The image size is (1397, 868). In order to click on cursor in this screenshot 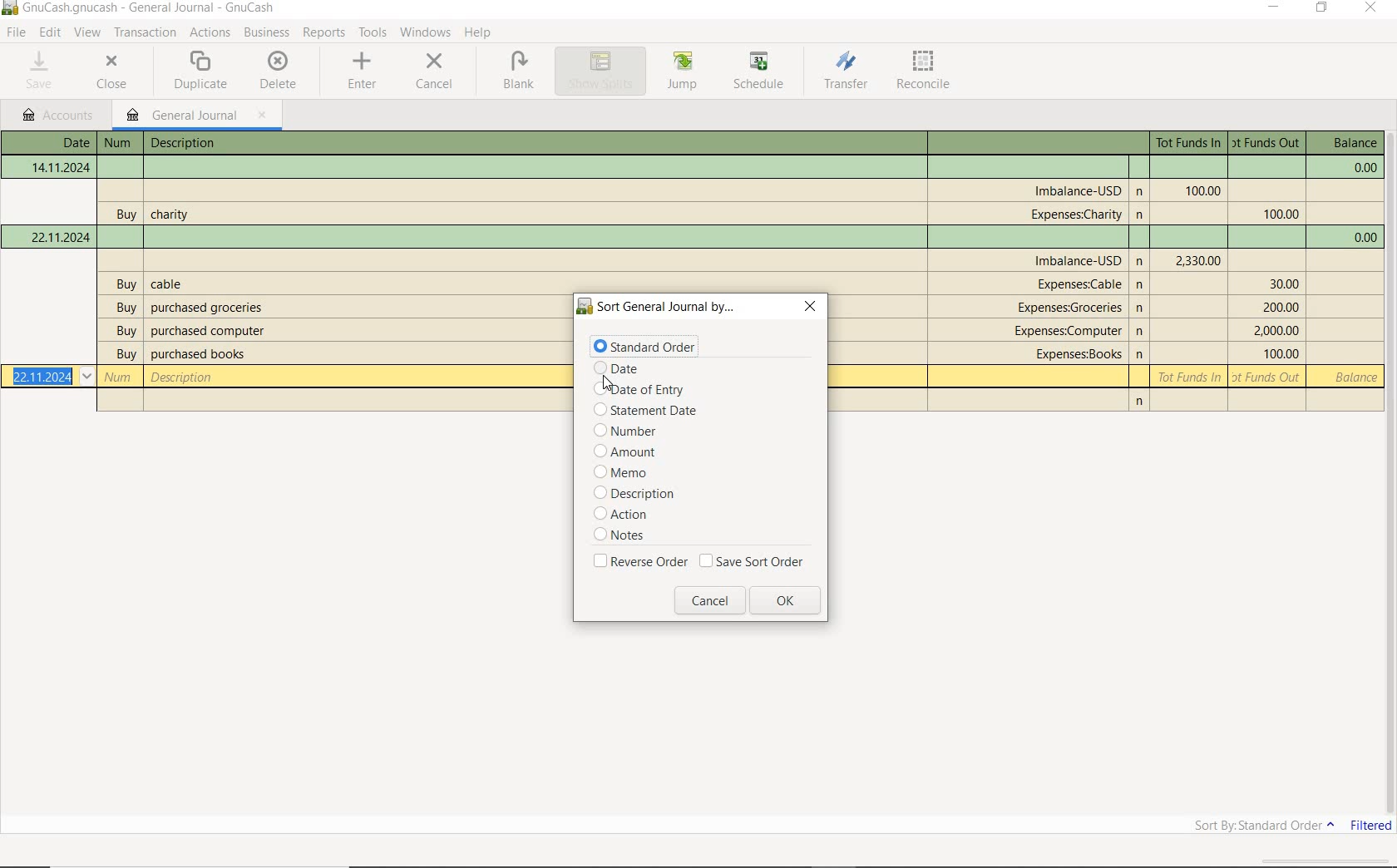, I will do `click(606, 382)`.